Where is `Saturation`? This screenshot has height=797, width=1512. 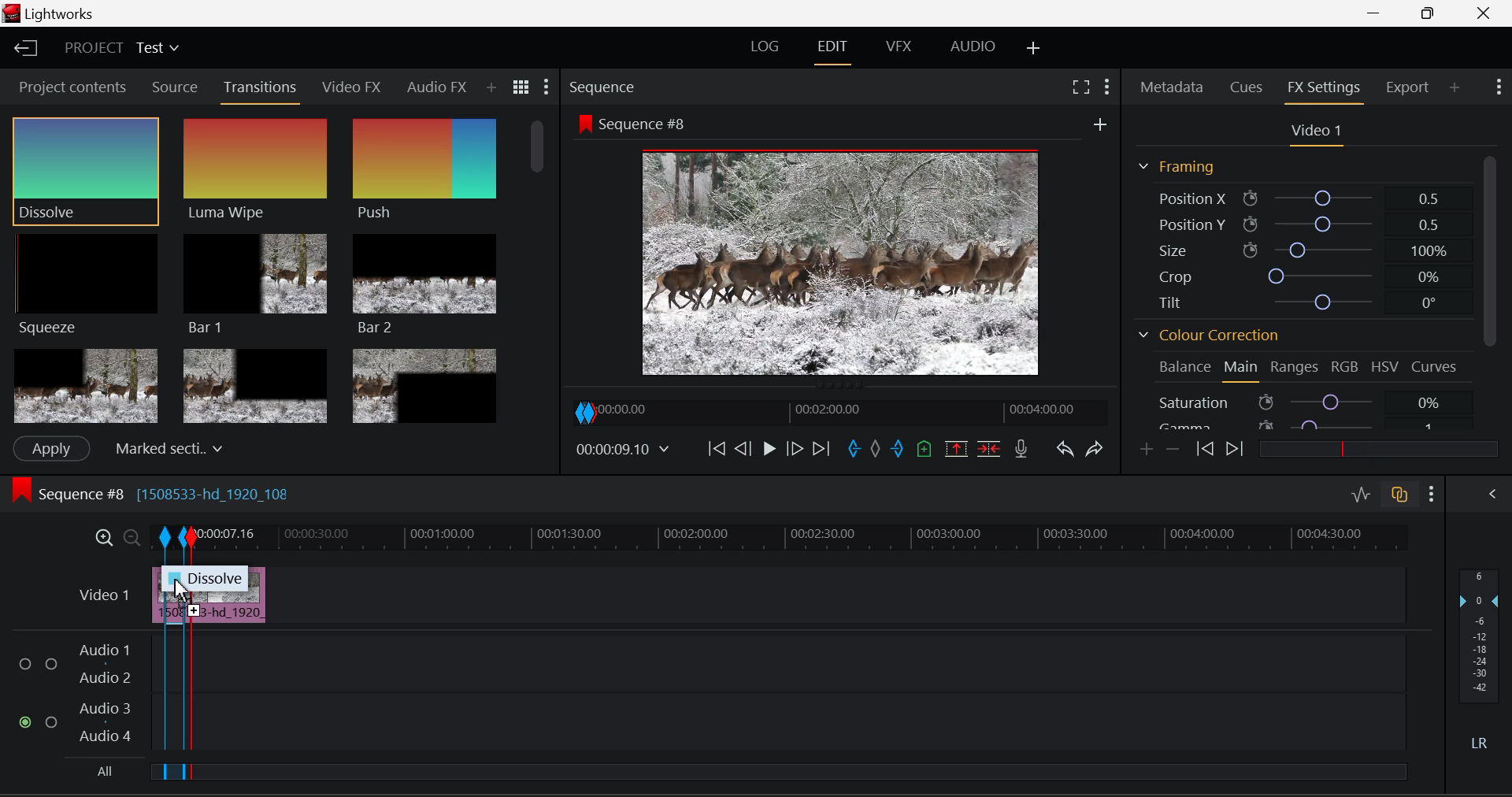 Saturation is located at coordinates (1299, 402).